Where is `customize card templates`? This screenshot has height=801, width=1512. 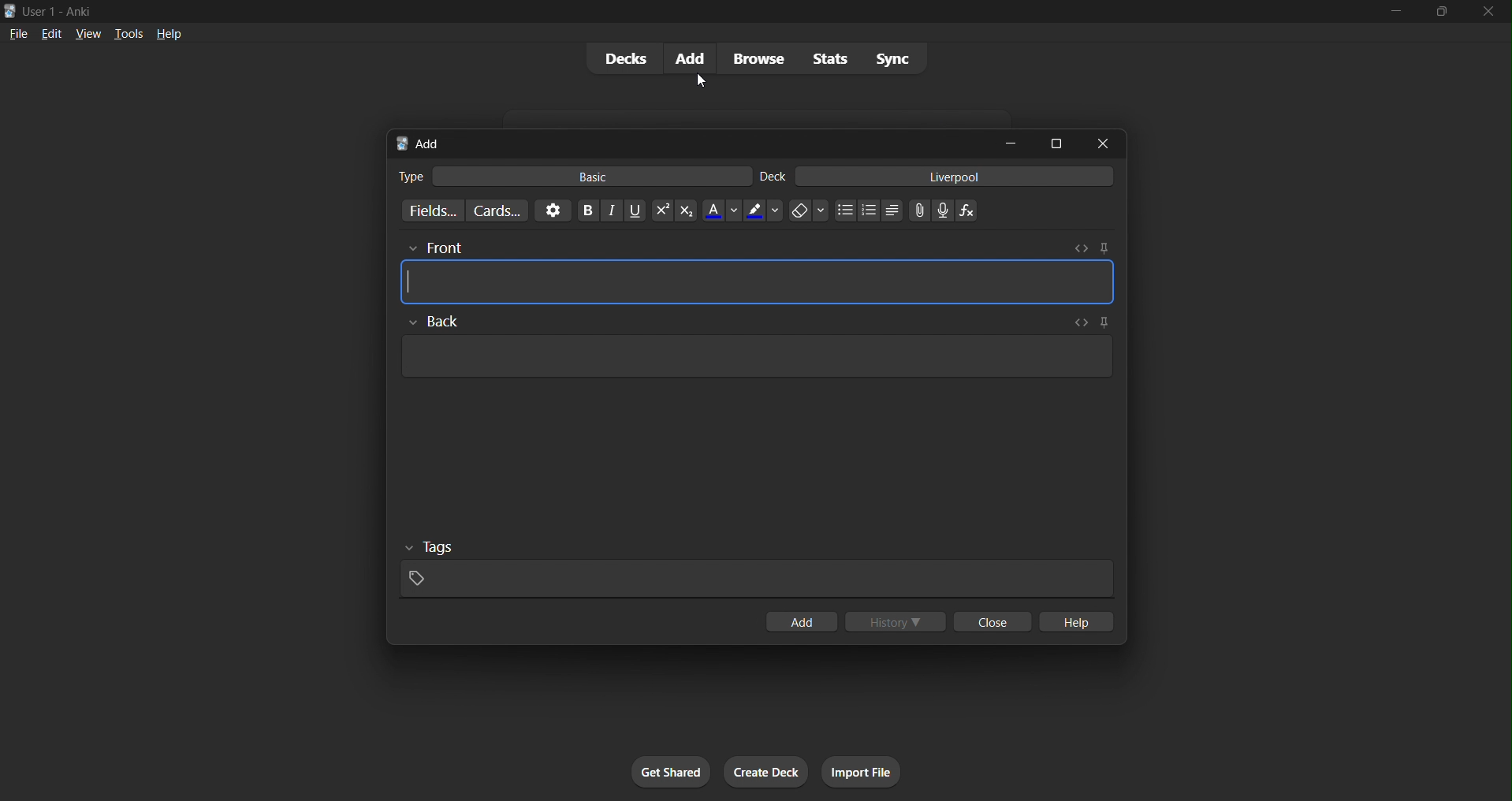
customize card templates is located at coordinates (498, 210).